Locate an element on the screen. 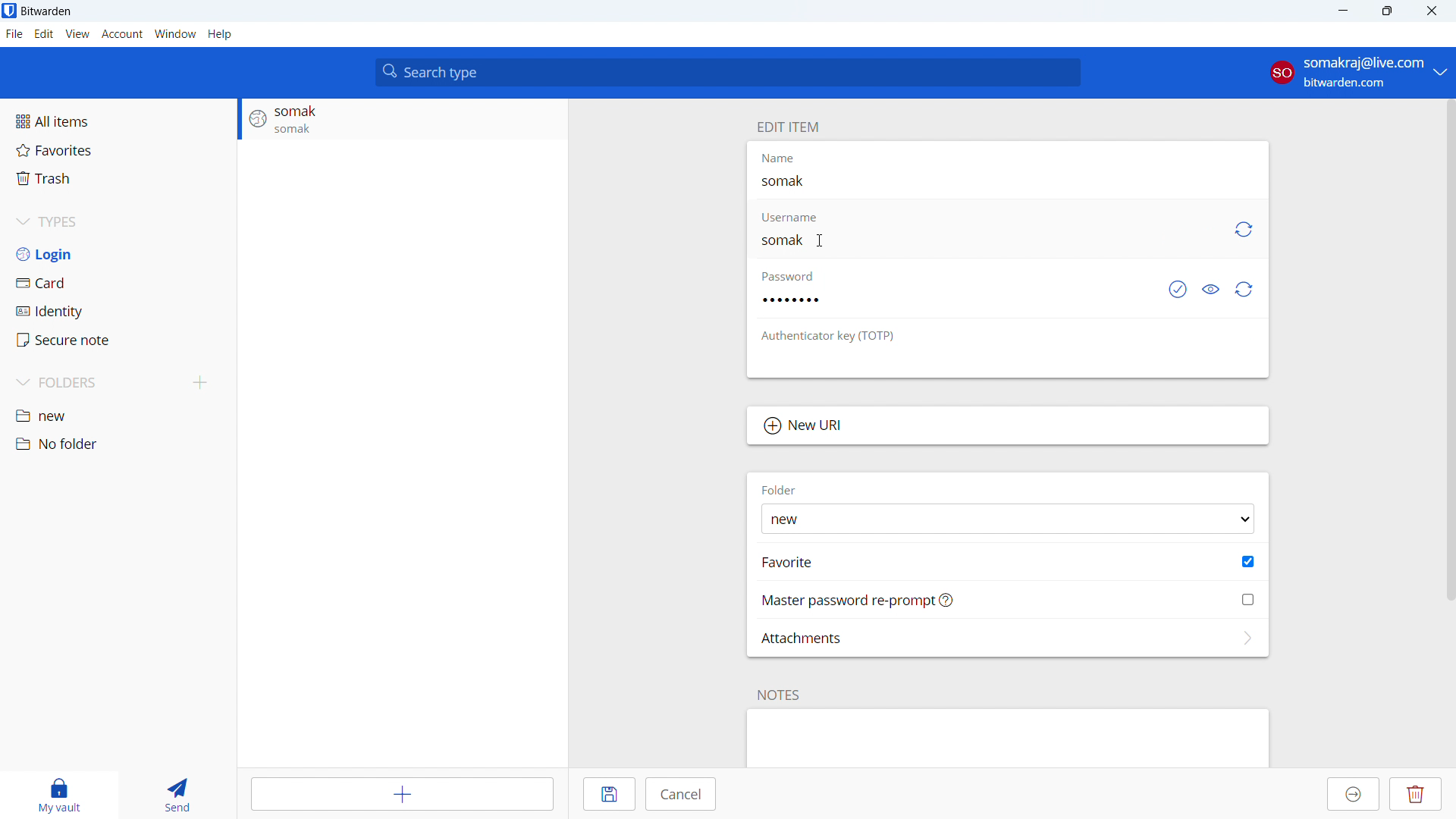  account is located at coordinates (123, 34).